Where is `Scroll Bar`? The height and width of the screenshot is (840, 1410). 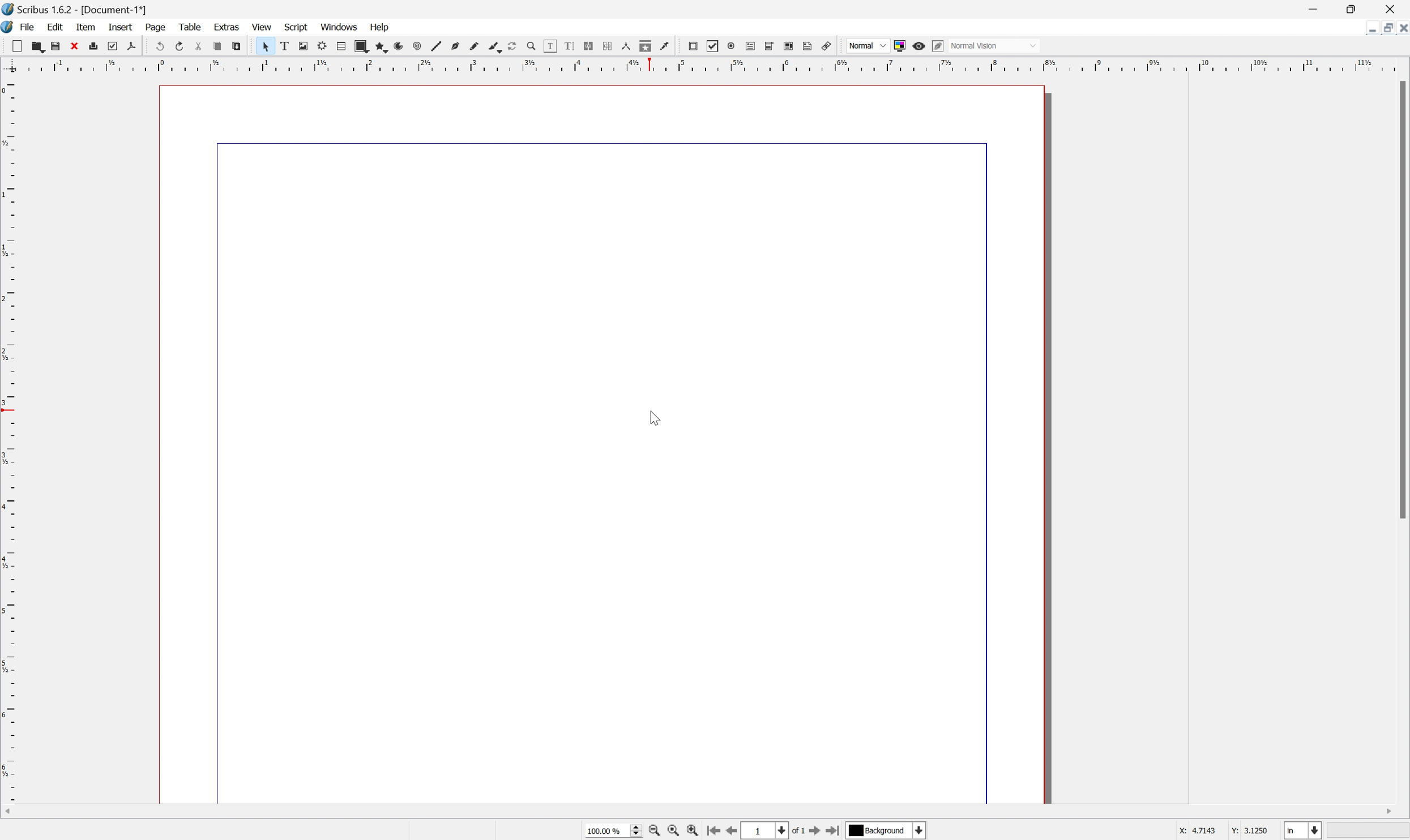 Scroll Bar is located at coordinates (1401, 299).